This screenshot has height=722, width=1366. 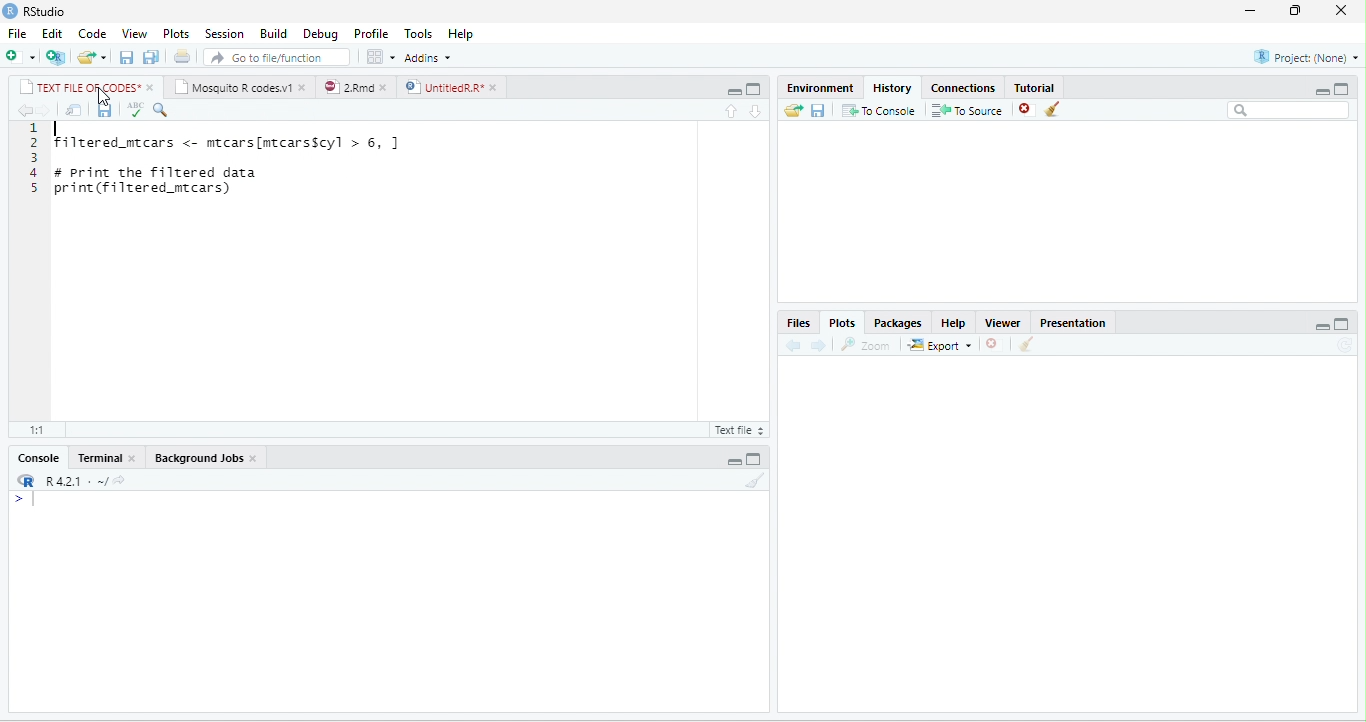 I want to click on filtered_mtcars <- mtcars[mtcarsScyl > 6, ], so click(x=232, y=143).